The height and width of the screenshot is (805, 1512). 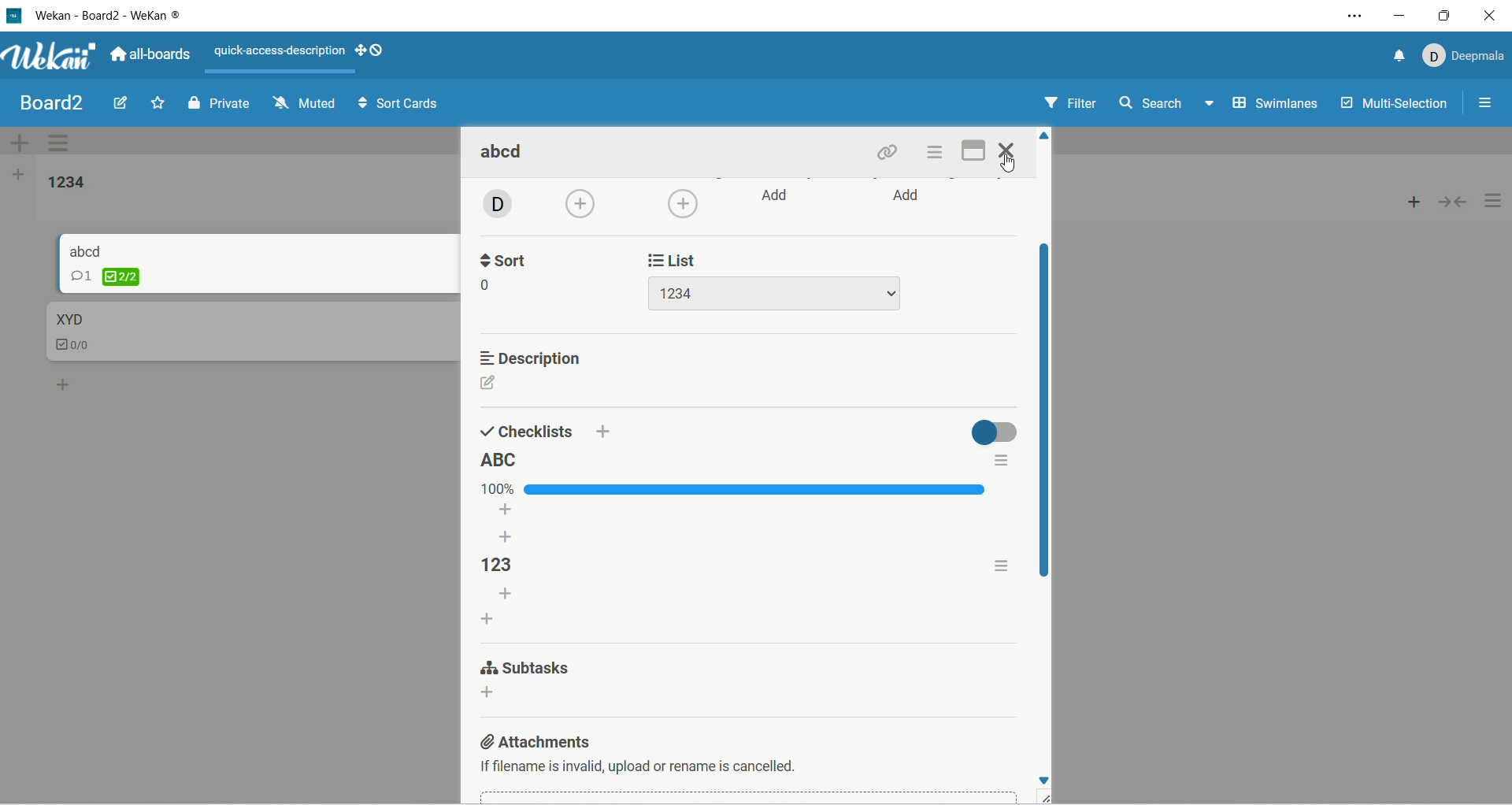 What do you see at coordinates (69, 318) in the screenshot?
I see `card title` at bounding box center [69, 318].